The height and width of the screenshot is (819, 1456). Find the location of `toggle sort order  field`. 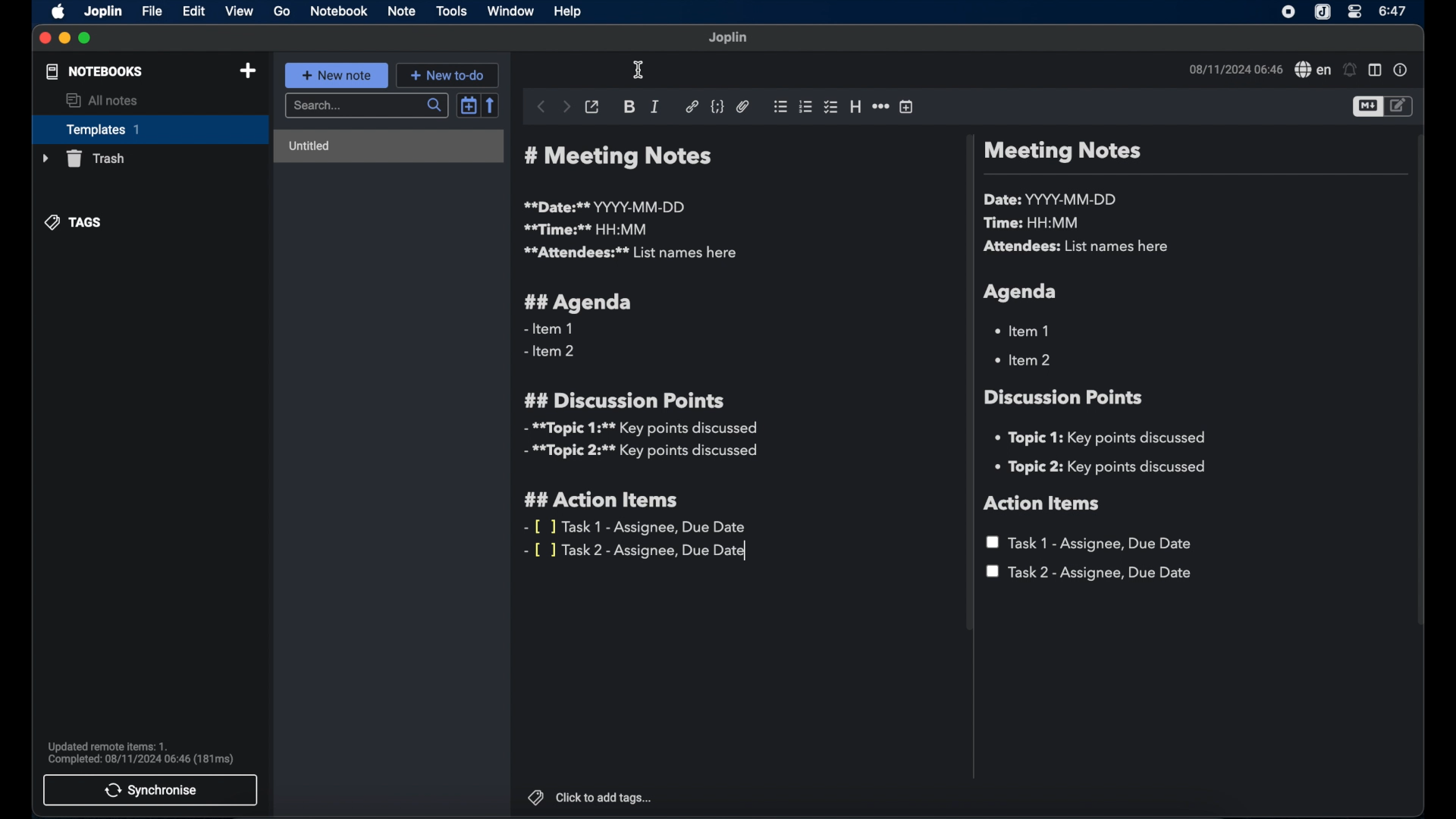

toggle sort order  field is located at coordinates (466, 107).